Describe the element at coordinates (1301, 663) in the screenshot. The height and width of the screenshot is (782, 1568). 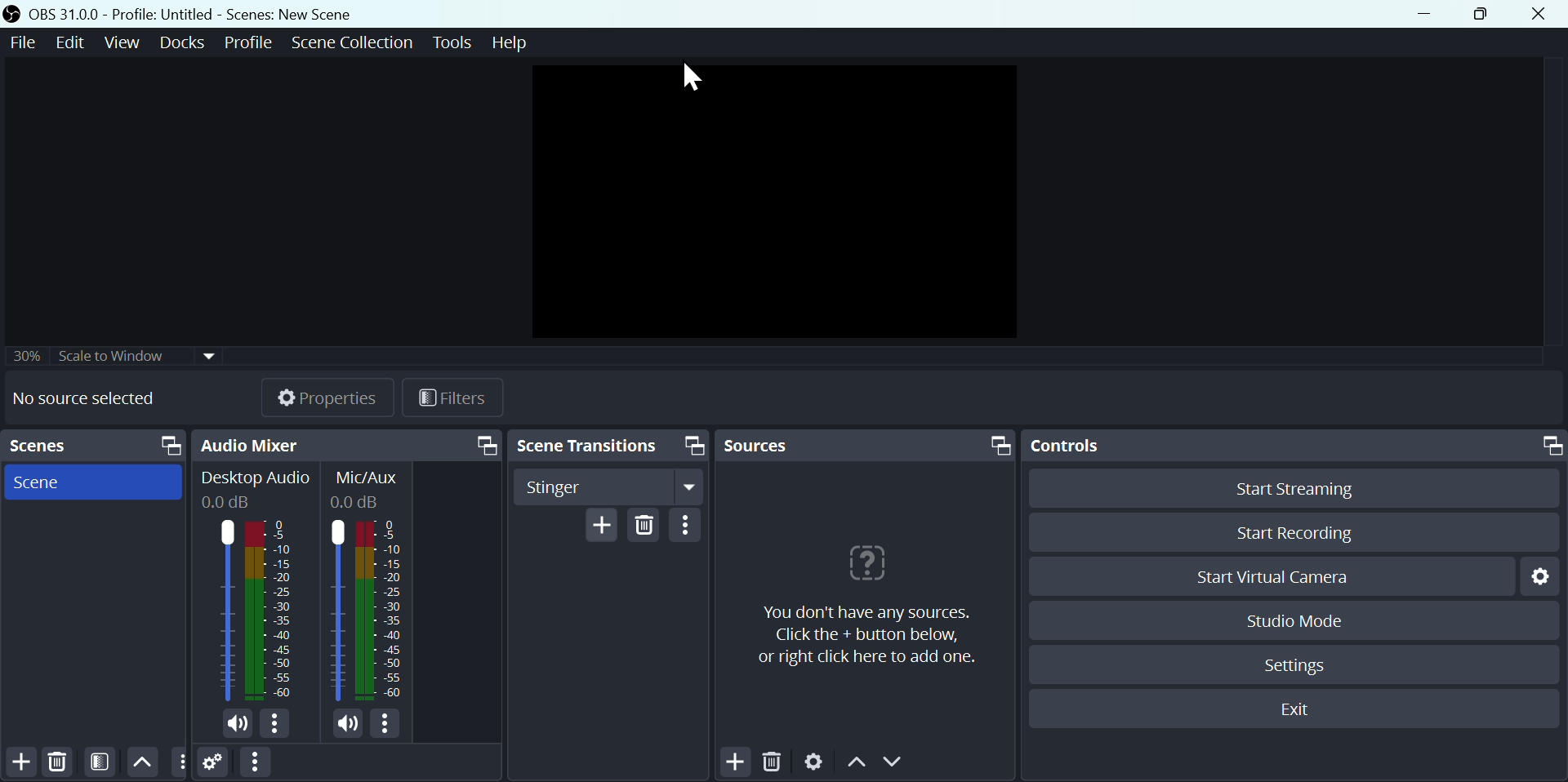
I see `Settings` at that location.